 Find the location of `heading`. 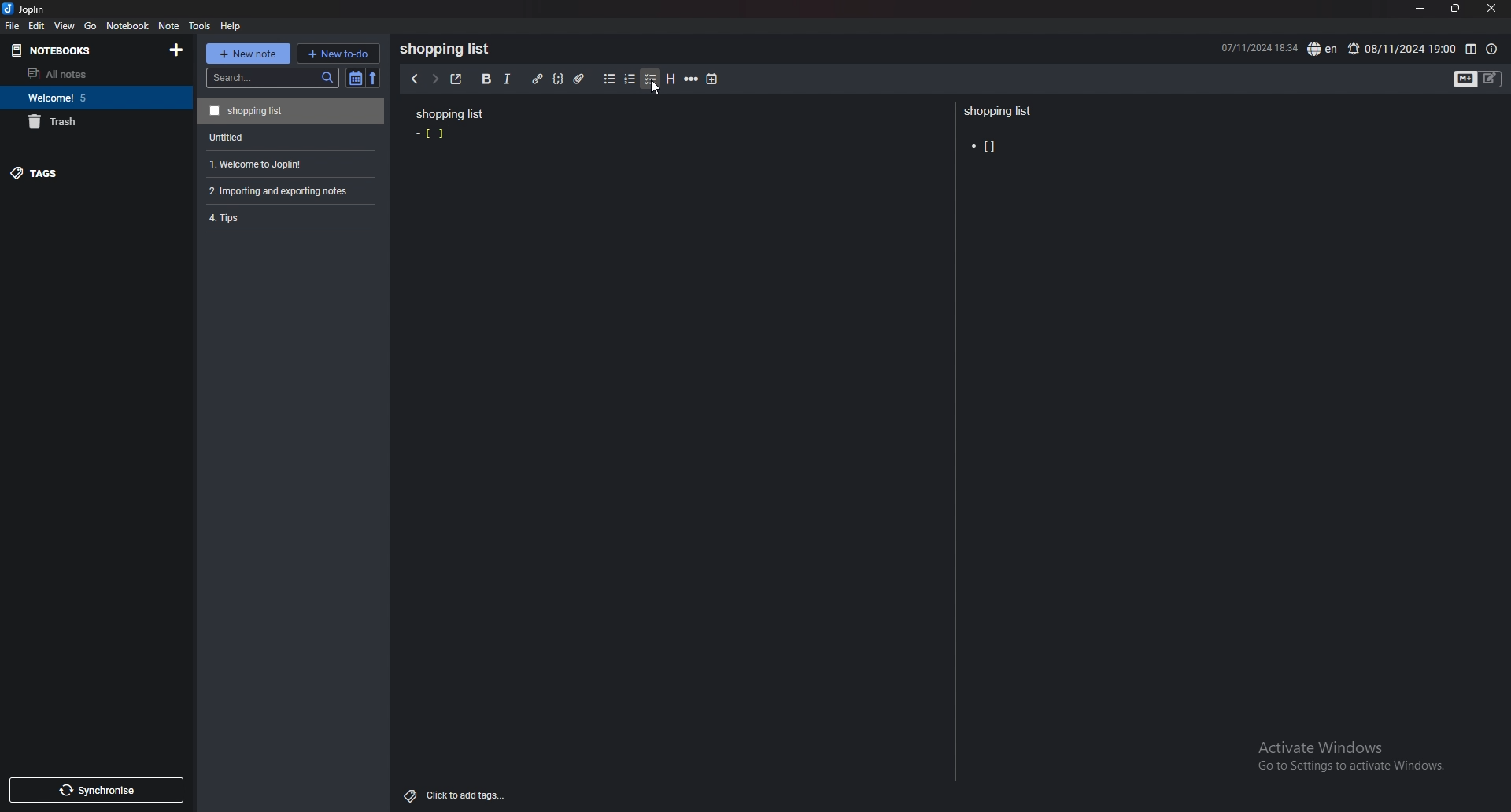

heading is located at coordinates (671, 79).